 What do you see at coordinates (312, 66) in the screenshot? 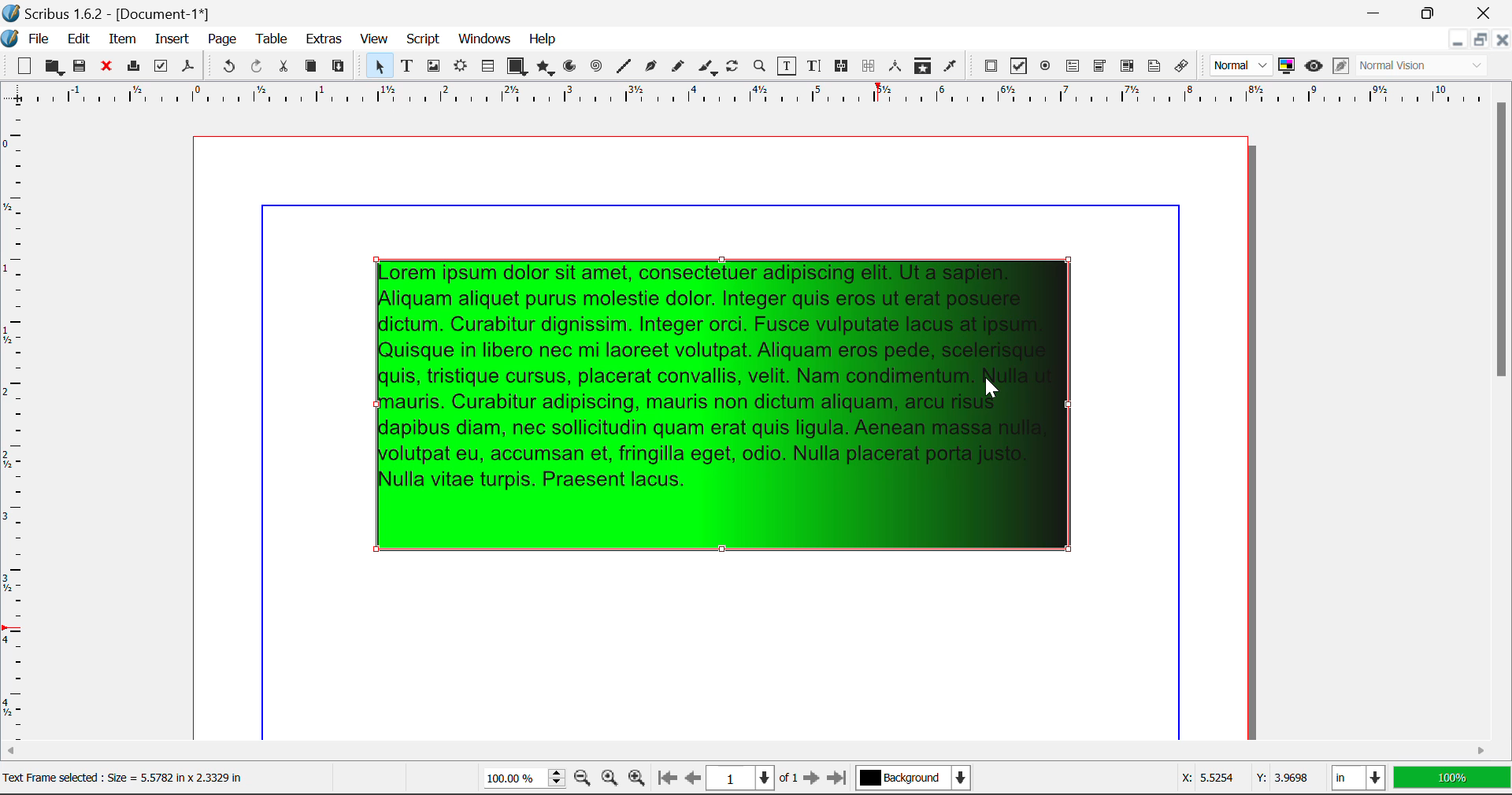
I see `Copy` at bounding box center [312, 66].